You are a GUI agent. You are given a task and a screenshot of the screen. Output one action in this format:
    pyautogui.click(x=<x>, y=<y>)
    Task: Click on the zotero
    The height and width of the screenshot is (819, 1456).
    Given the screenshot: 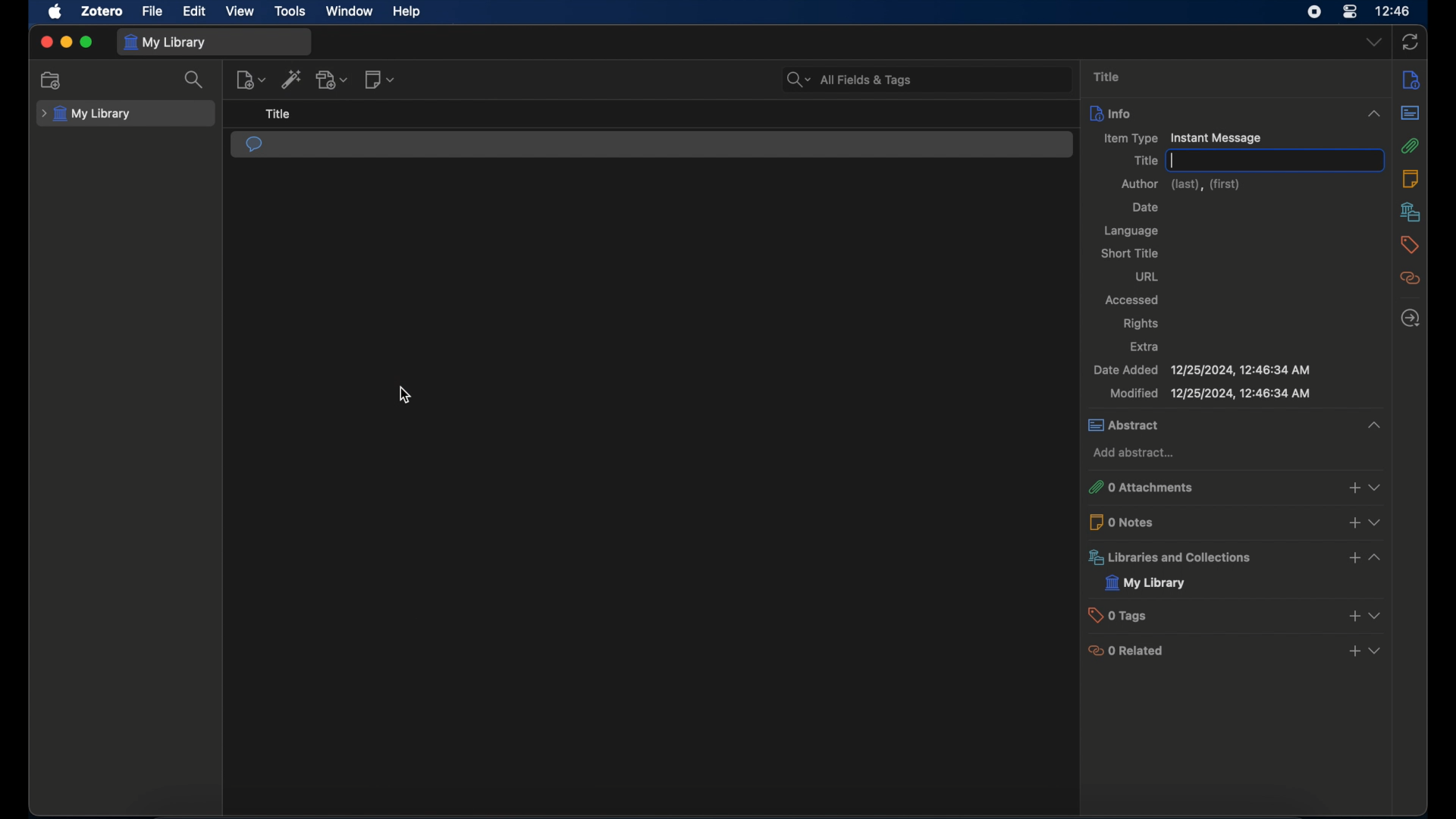 What is the action you would take?
    pyautogui.click(x=103, y=11)
    